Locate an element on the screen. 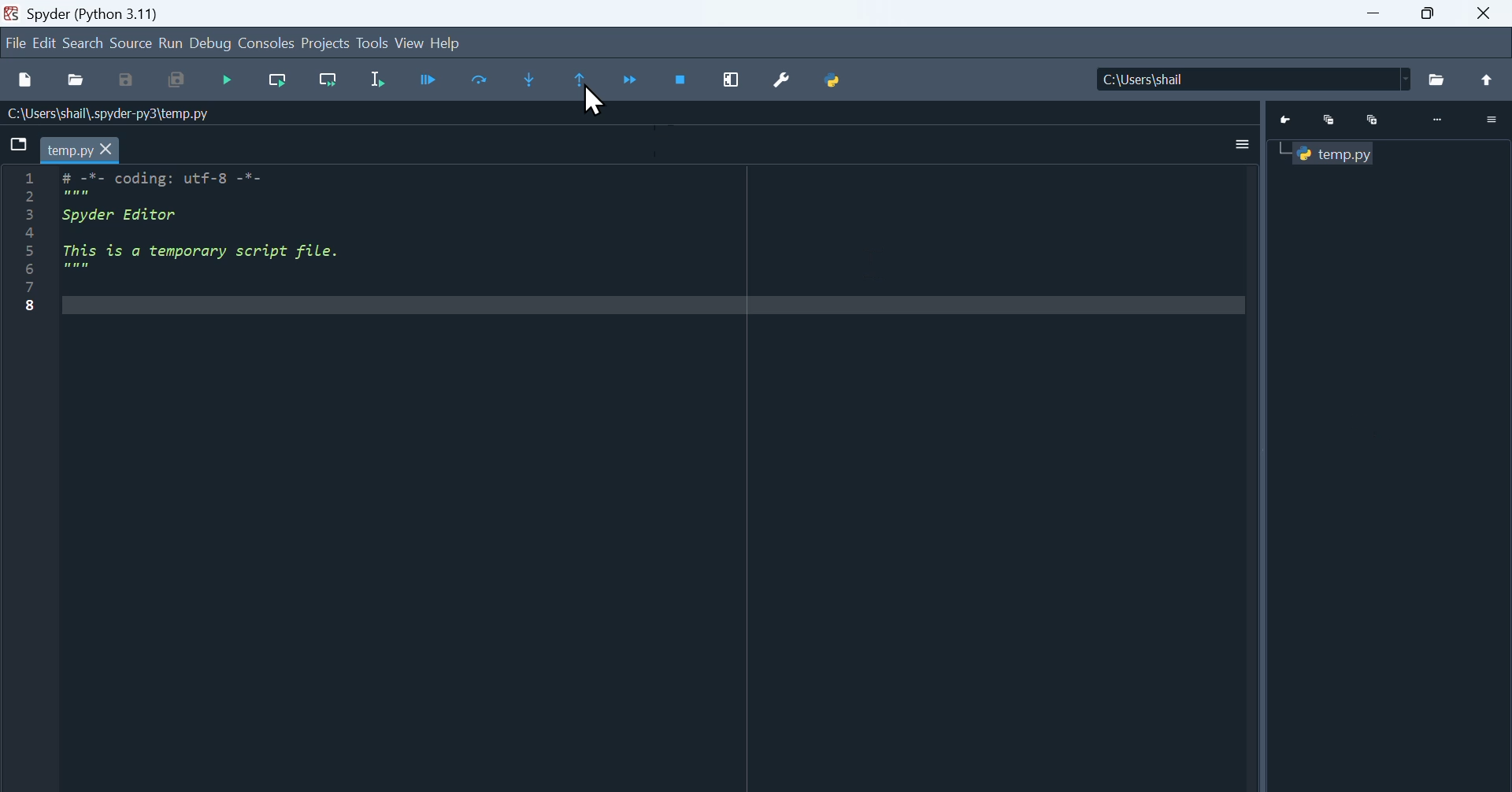  File is located at coordinates (1436, 80).